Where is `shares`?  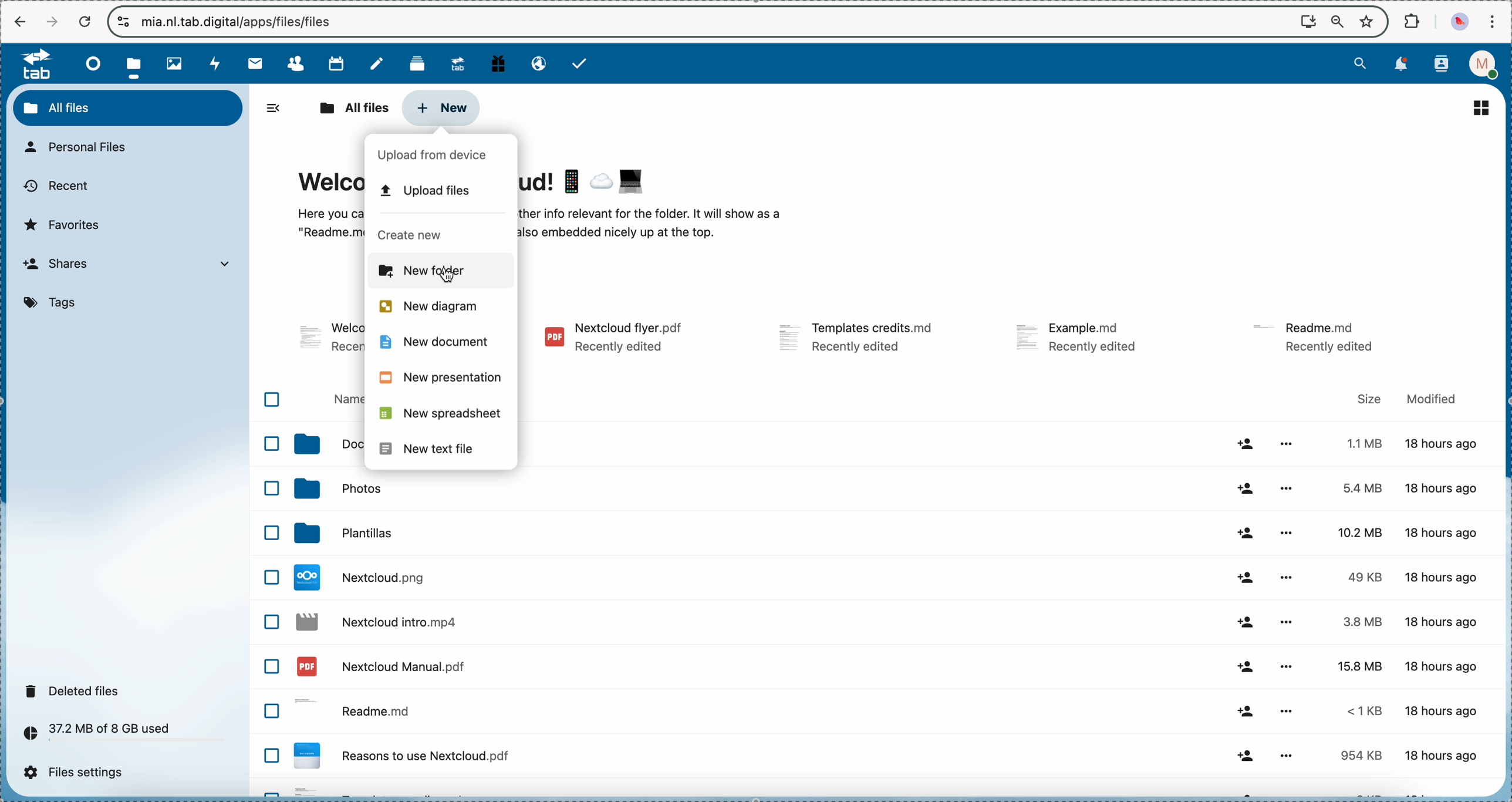 shares is located at coordinates (125, 266).